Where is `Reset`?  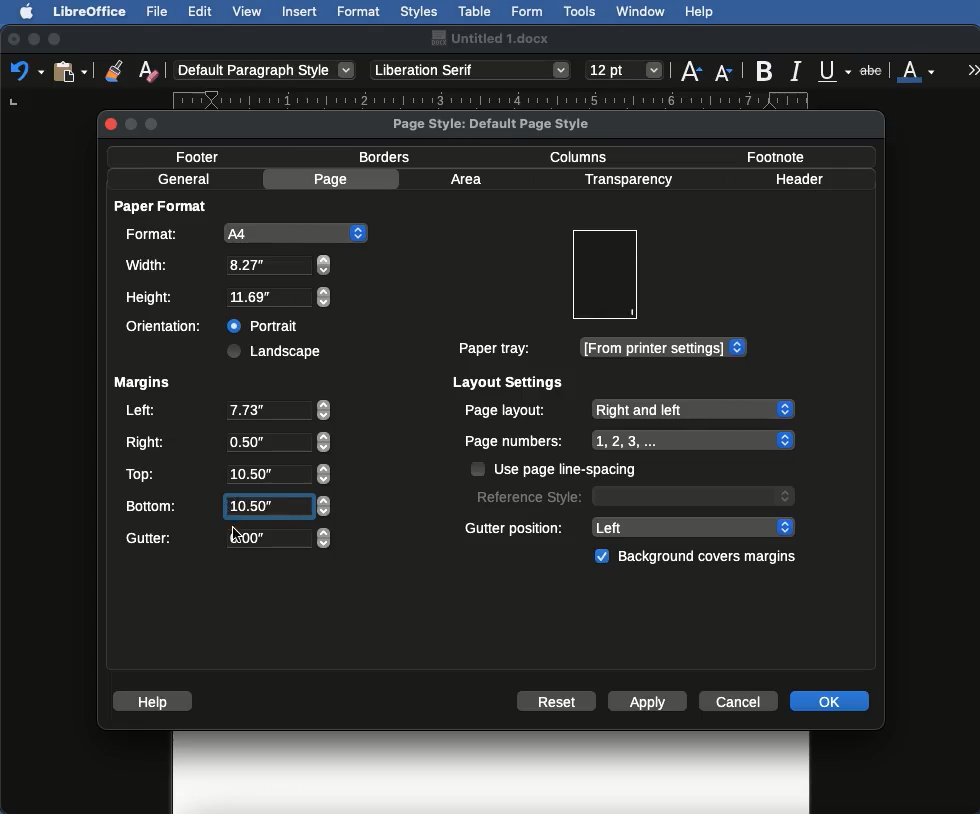
Reset is located at coordinates (557, 703).